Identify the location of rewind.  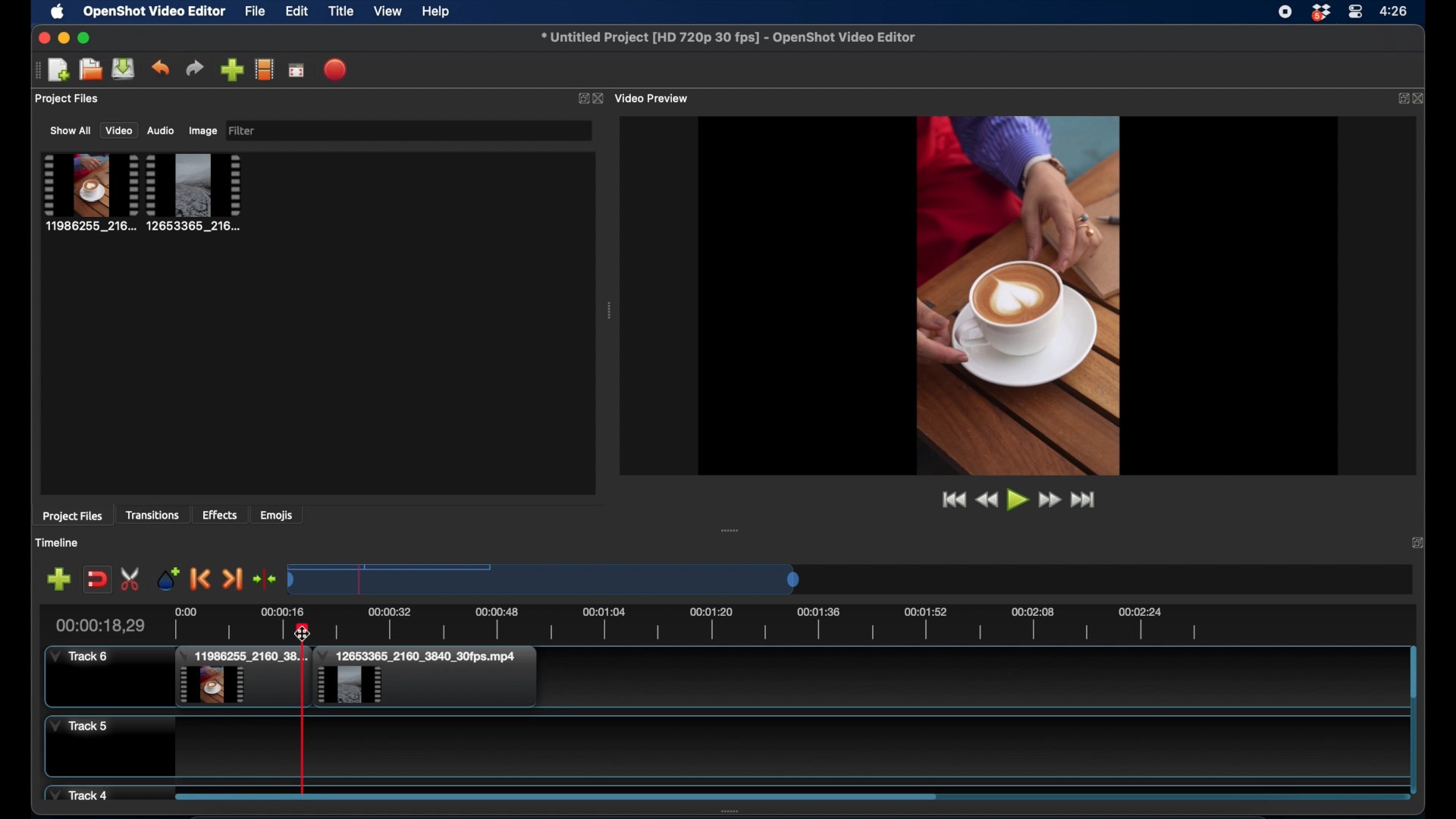
(986, 500).